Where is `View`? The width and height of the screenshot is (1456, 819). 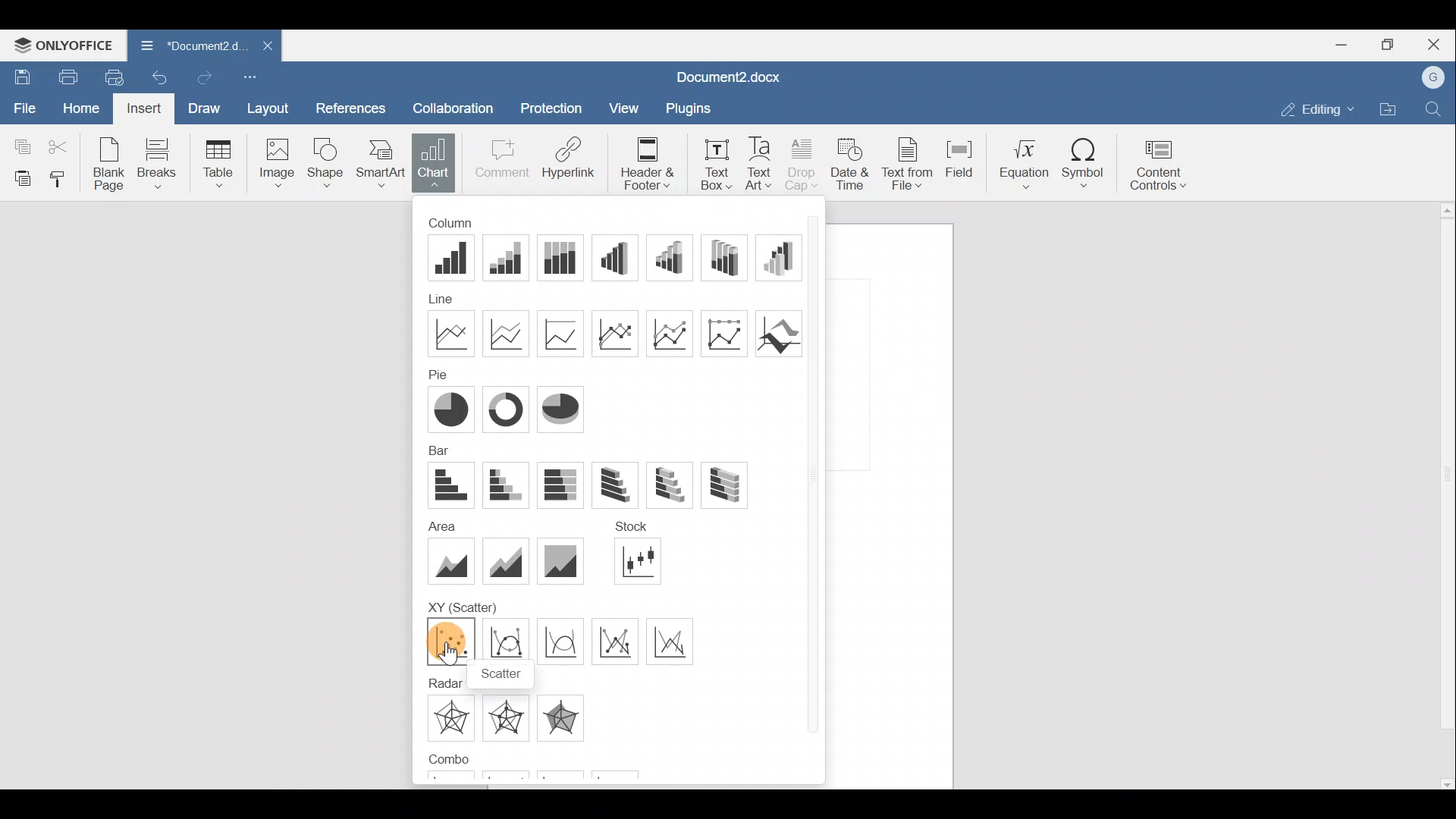
View is located at coordinates (619, 109).